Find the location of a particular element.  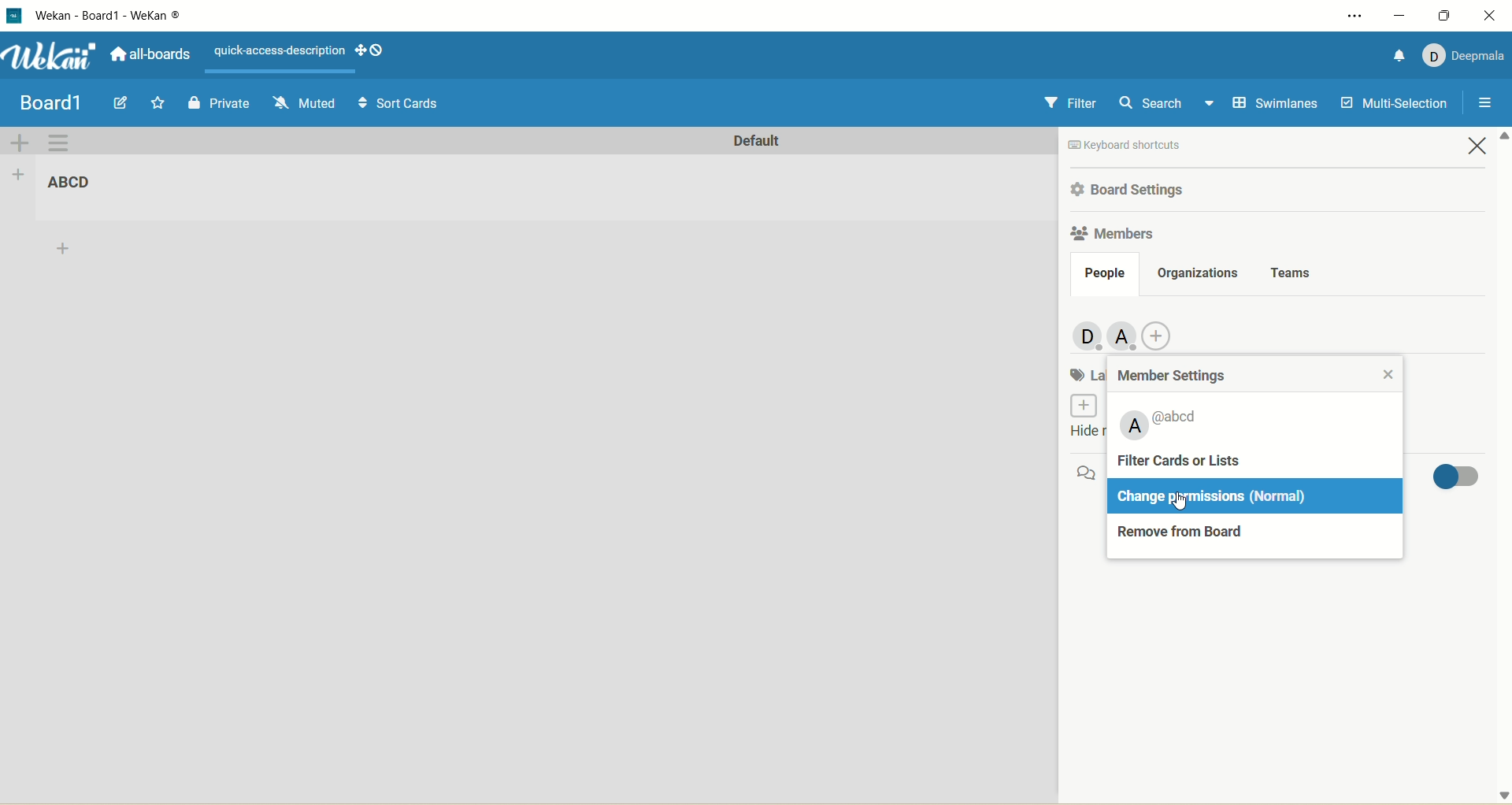

vertical scroll bar is located at coordinates (1503, 467).